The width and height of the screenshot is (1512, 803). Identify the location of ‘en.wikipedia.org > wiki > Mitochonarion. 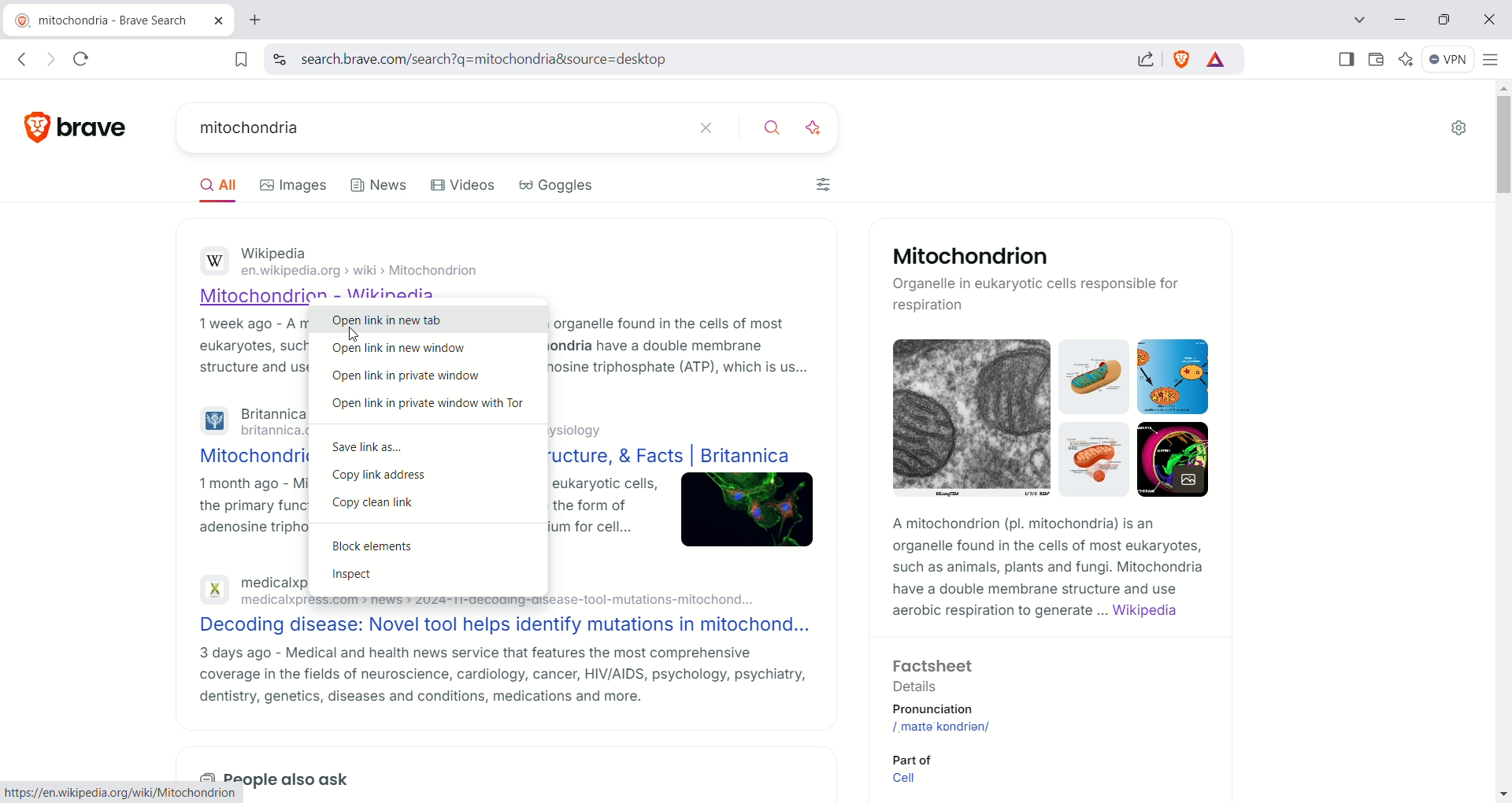
(361, 271).